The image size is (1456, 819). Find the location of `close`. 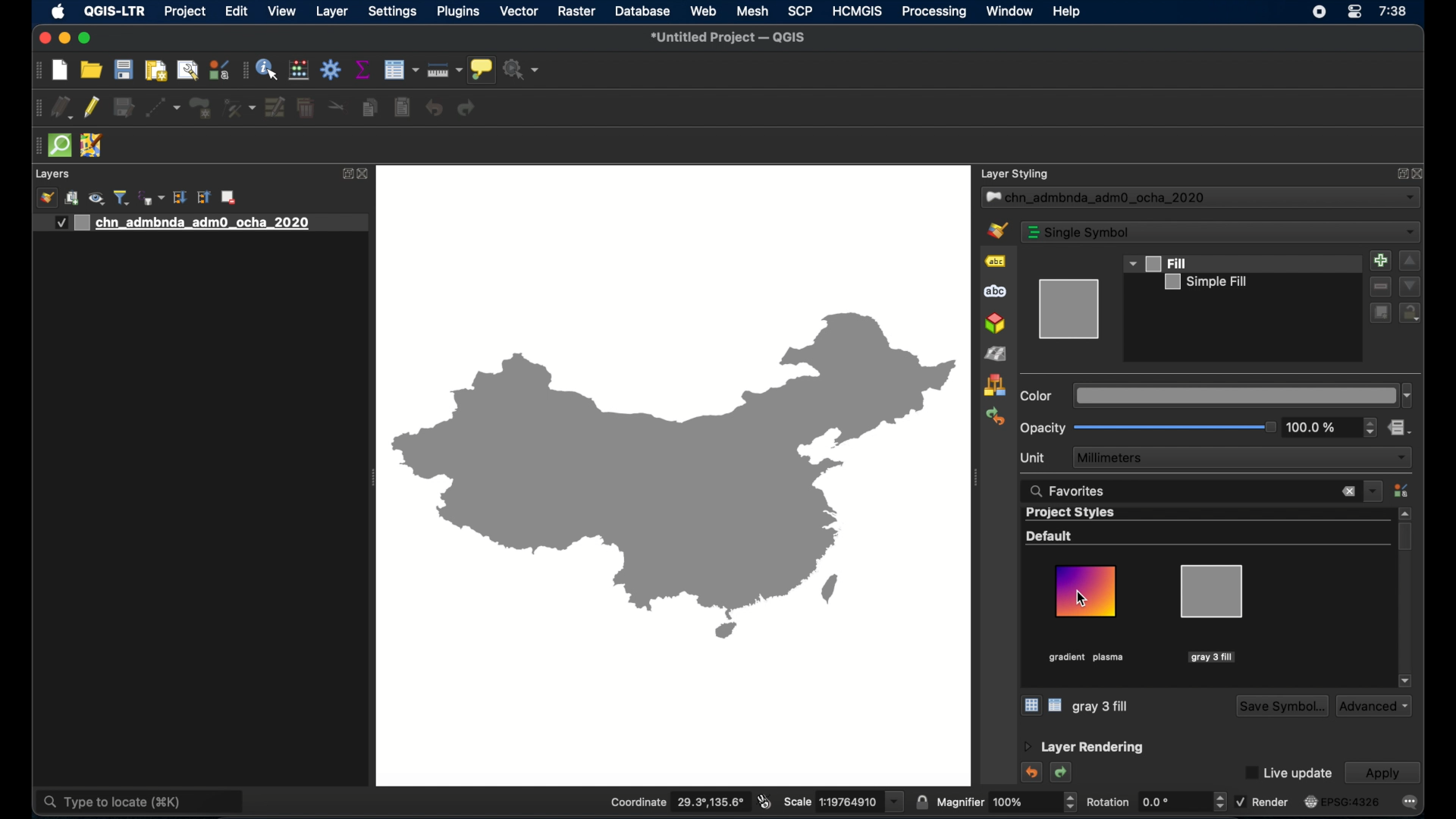

close is located at coordinates (1420, 175).